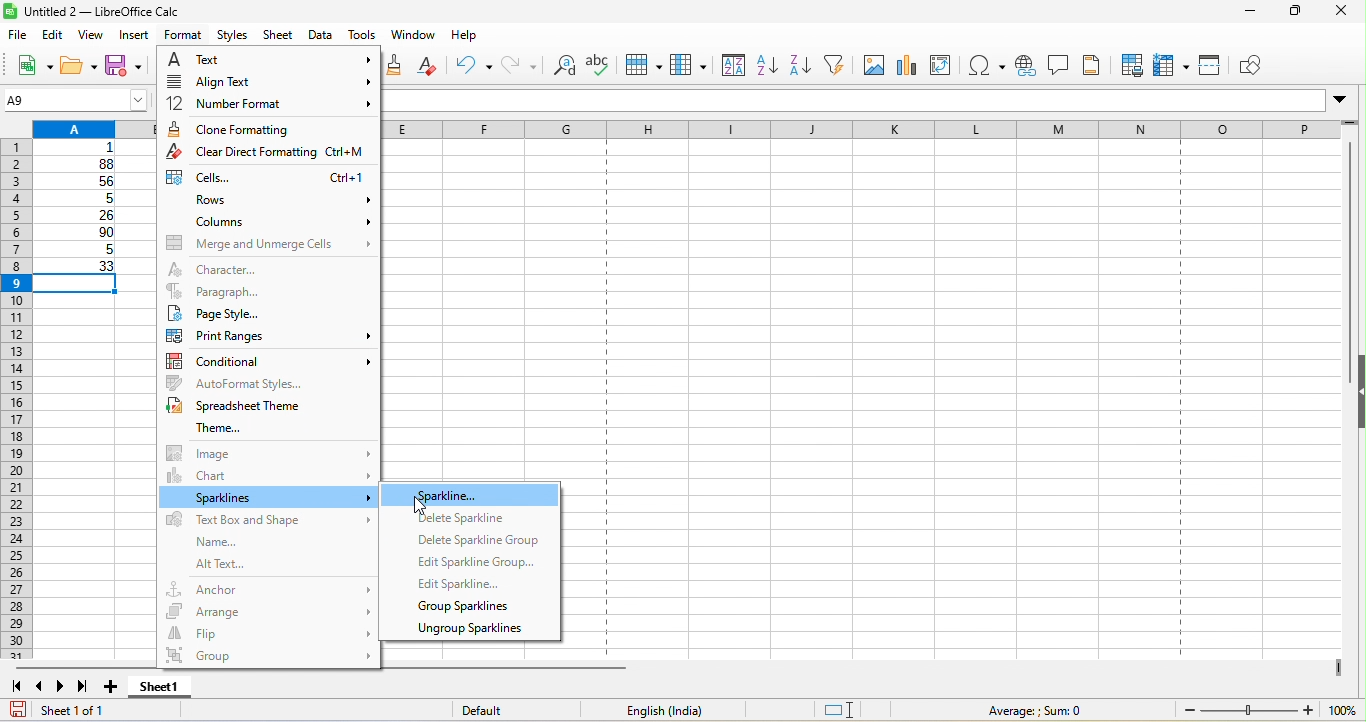  Describe the element at coordinates (267, 452) in the screenshot. I see `image` at that location.